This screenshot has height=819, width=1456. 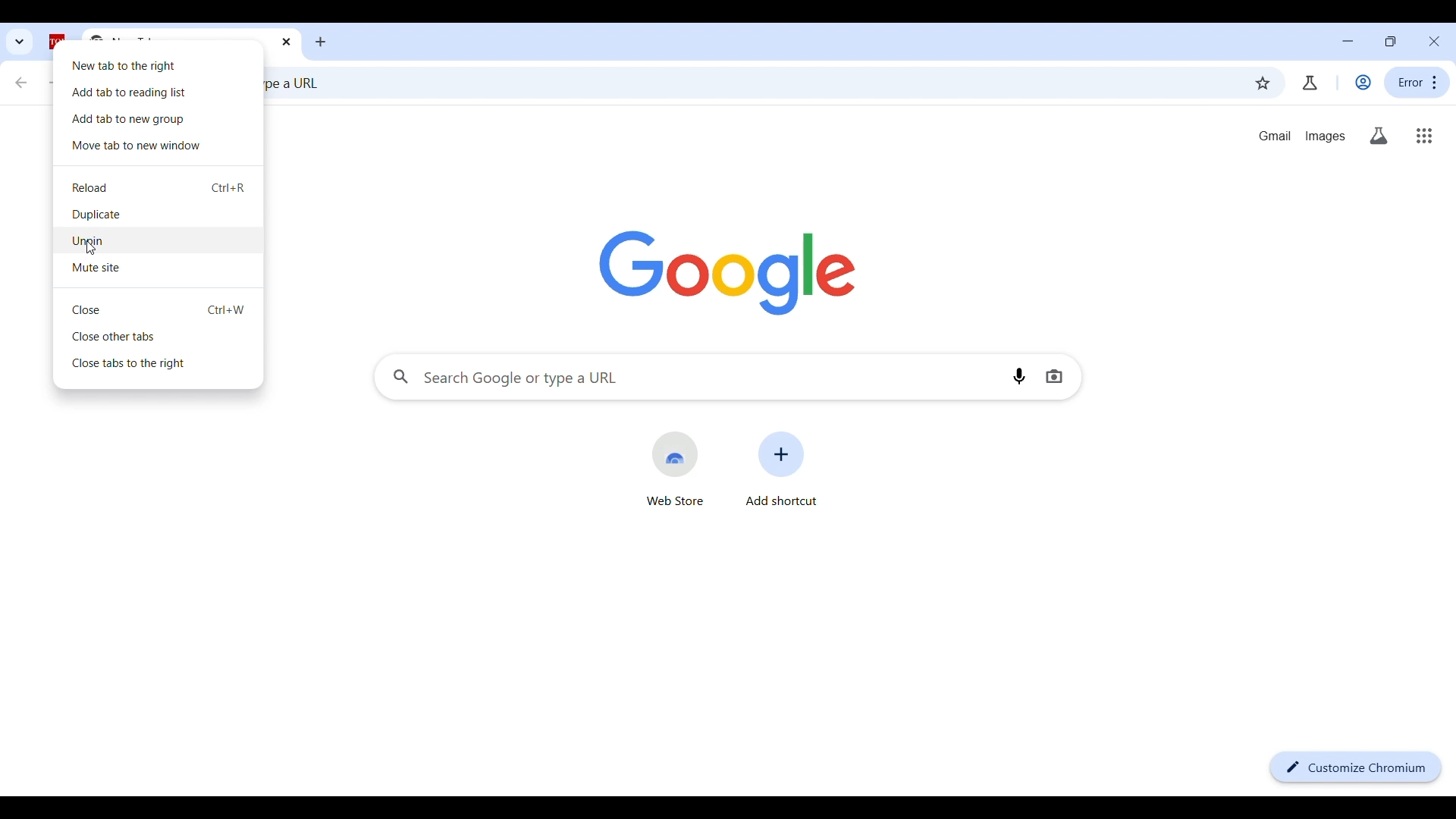 I want to click on Google logo, so click(x=726, y=274).